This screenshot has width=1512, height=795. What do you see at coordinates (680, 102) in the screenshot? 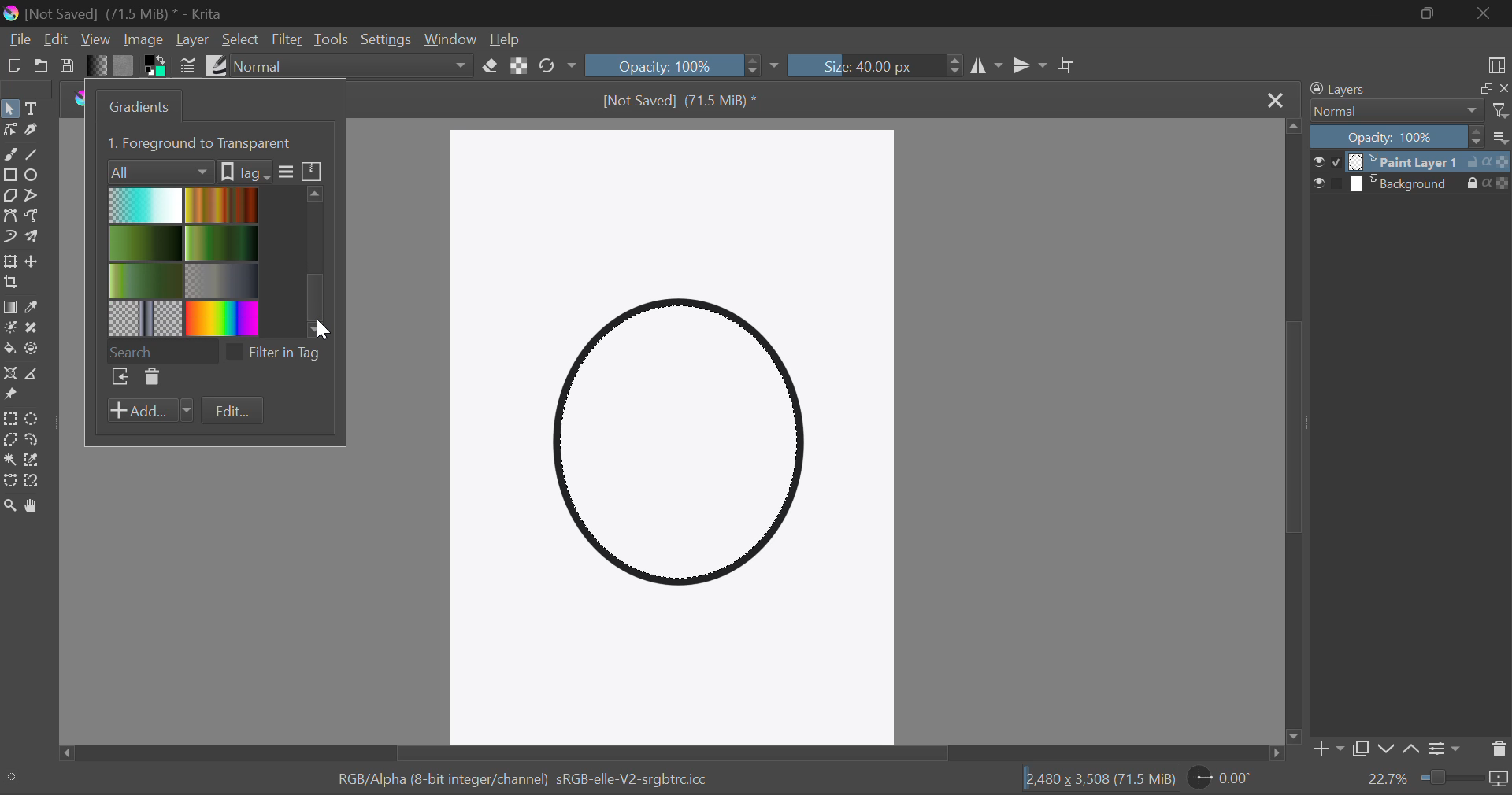
I see `[Not Saved] (71.5 MiB) *` at bounding box center [680, 102].